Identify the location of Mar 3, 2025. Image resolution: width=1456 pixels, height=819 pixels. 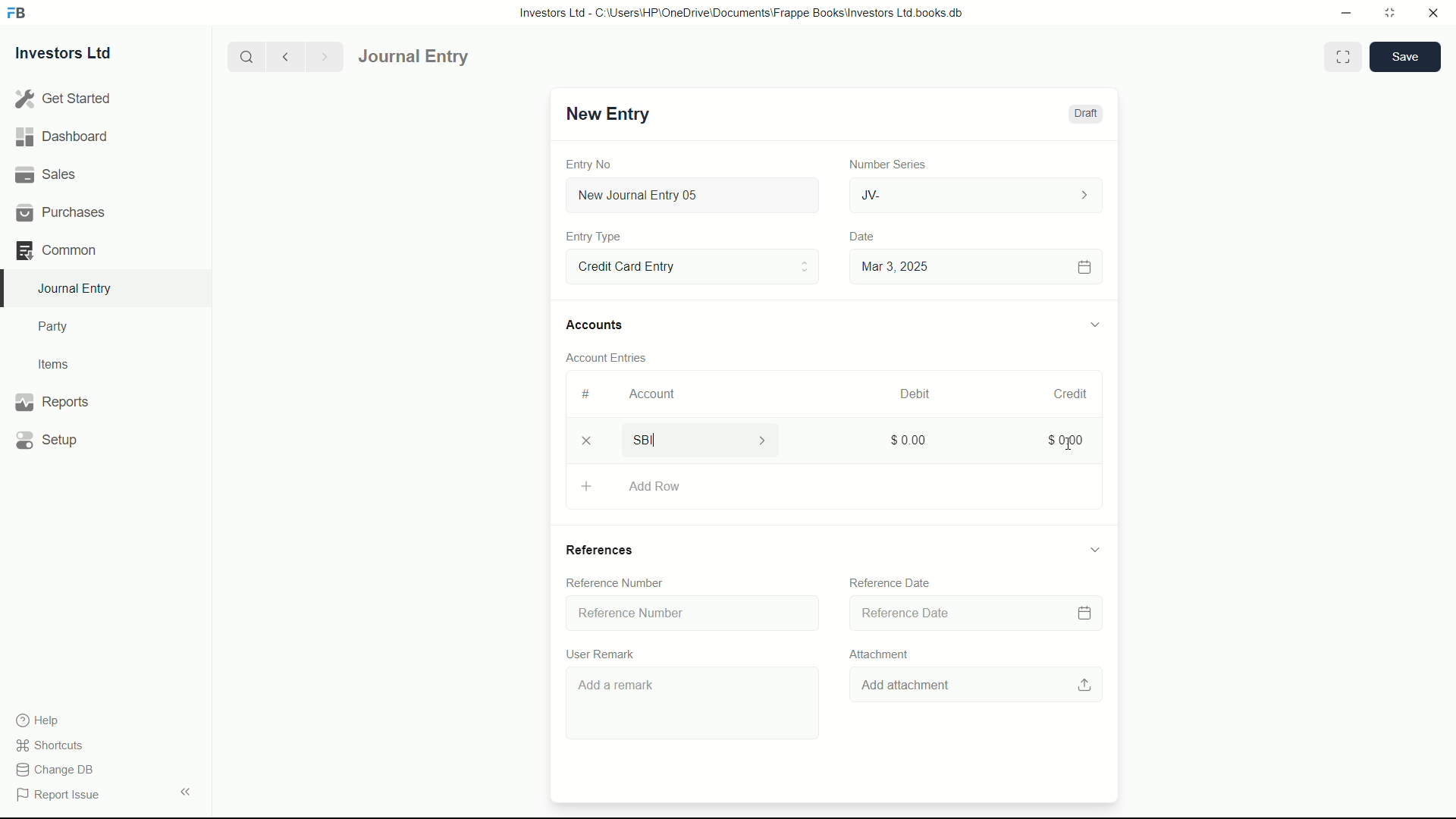
(974, 266).